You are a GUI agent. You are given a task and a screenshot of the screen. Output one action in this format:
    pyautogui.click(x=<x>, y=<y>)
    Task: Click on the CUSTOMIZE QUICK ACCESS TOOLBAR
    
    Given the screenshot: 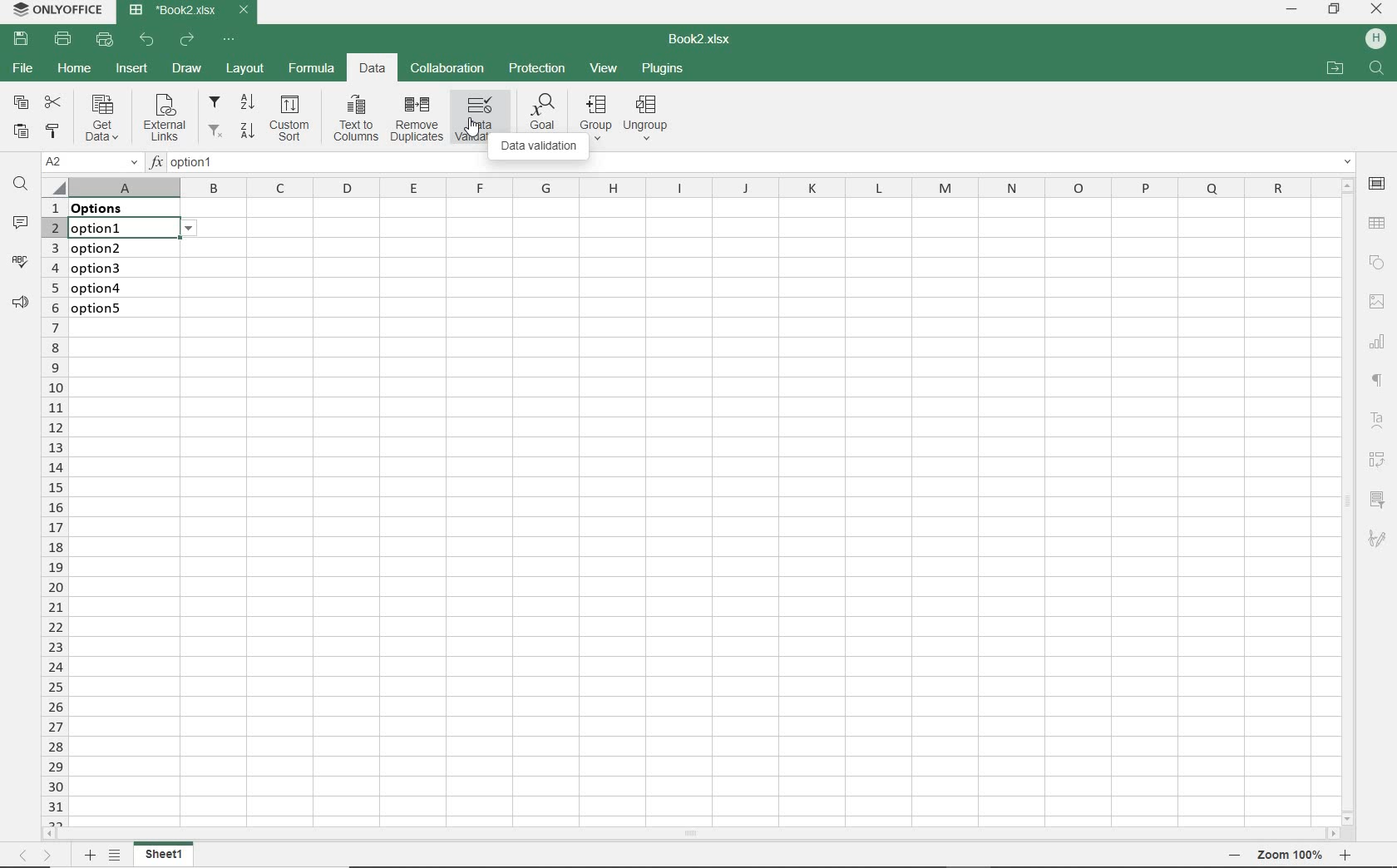 What is the action you would take?
    pyautogui.click(x=230, y=40)
    